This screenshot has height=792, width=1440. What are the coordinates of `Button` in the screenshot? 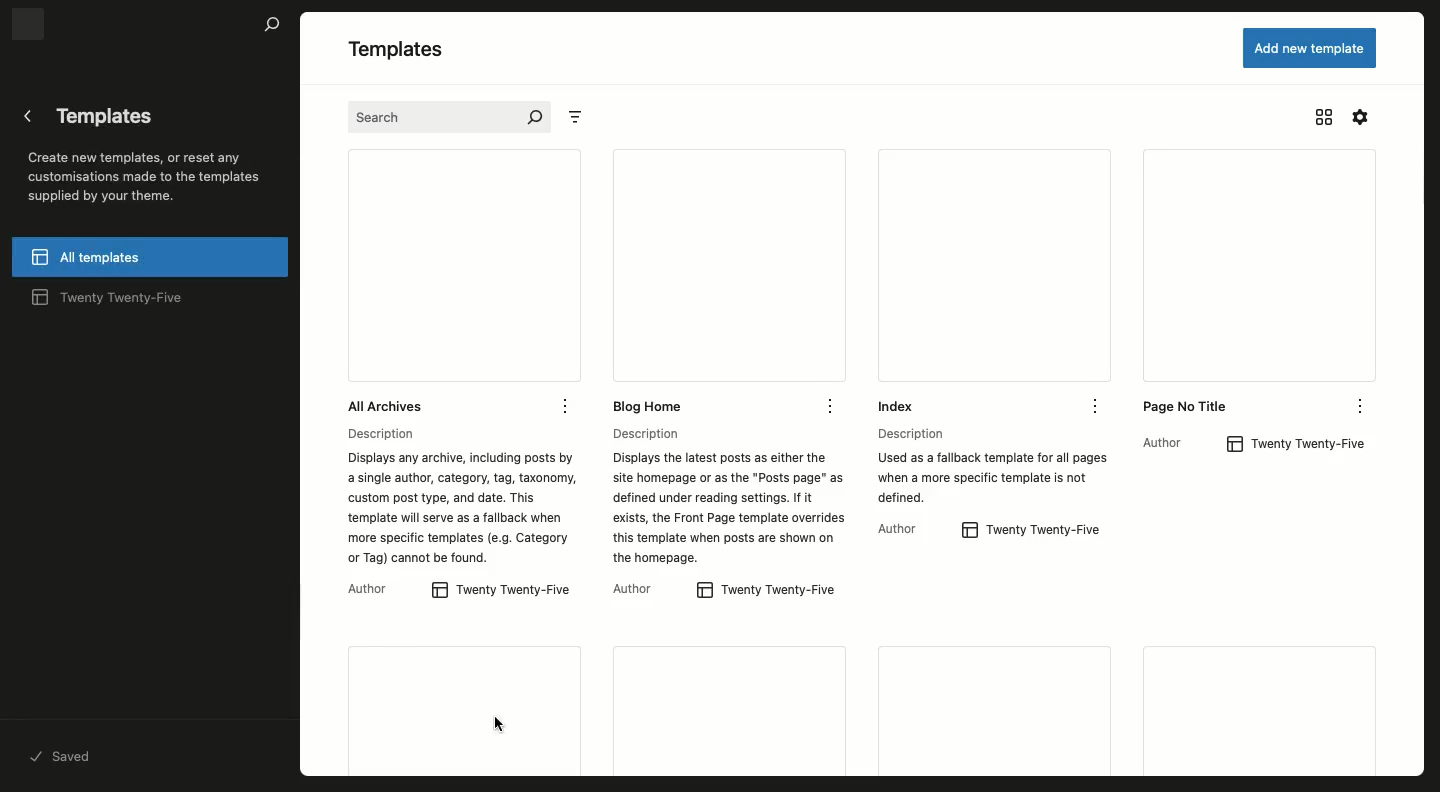 It's located at (968, 530).